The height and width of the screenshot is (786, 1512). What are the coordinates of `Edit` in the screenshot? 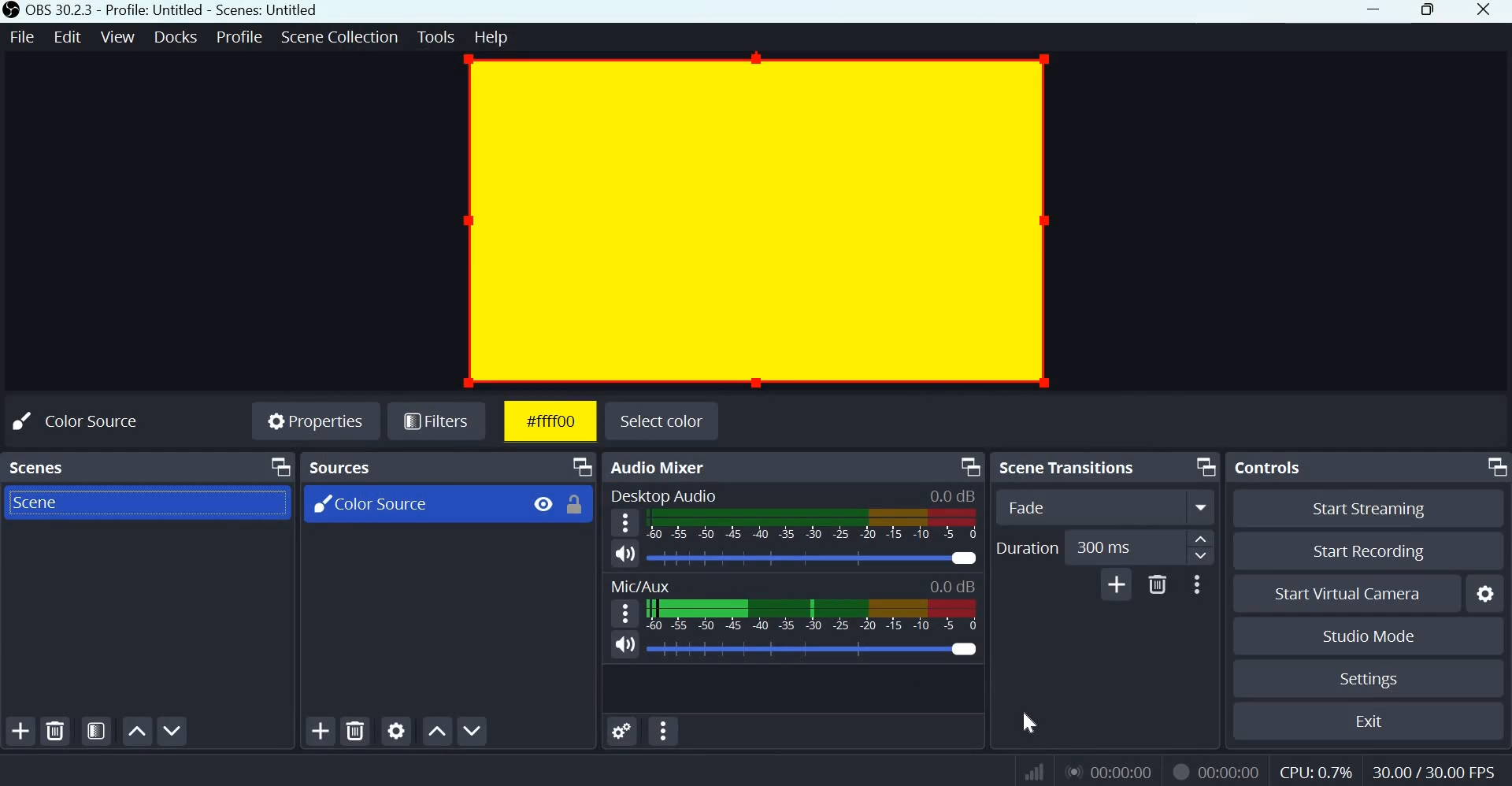 It's located at (69, 35).